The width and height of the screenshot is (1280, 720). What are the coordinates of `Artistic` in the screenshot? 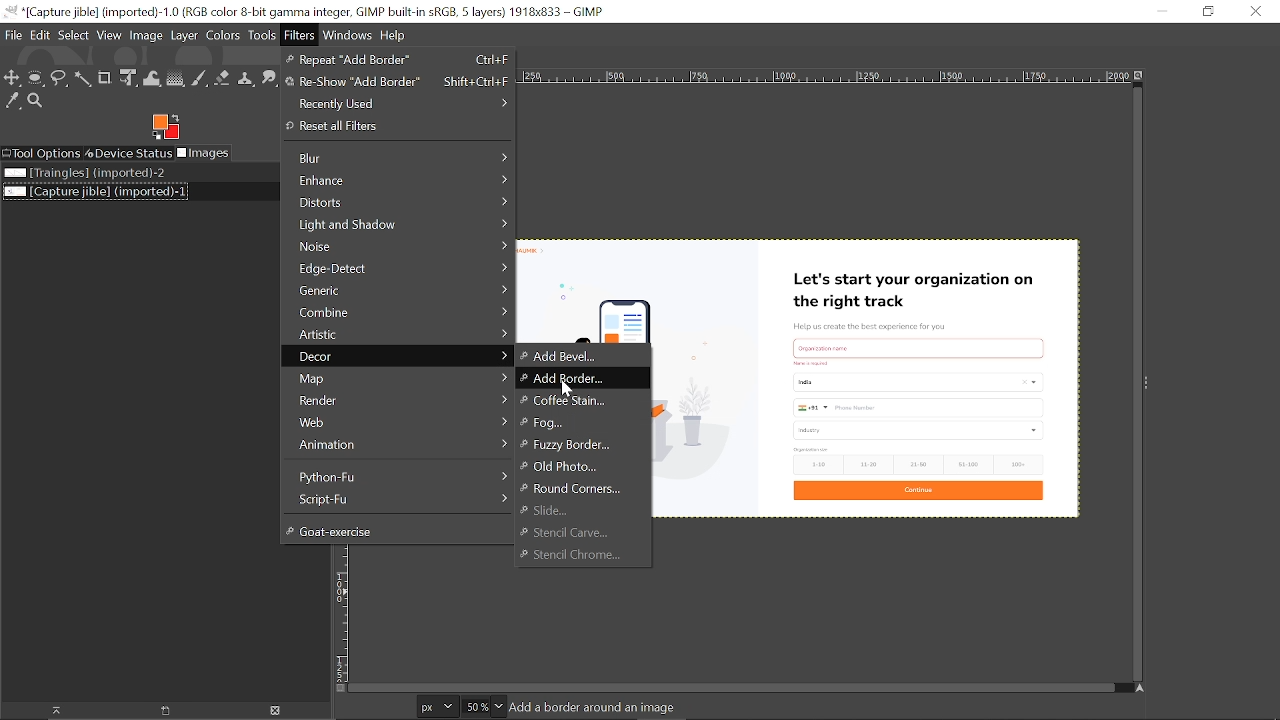 It's located at (398, 335).